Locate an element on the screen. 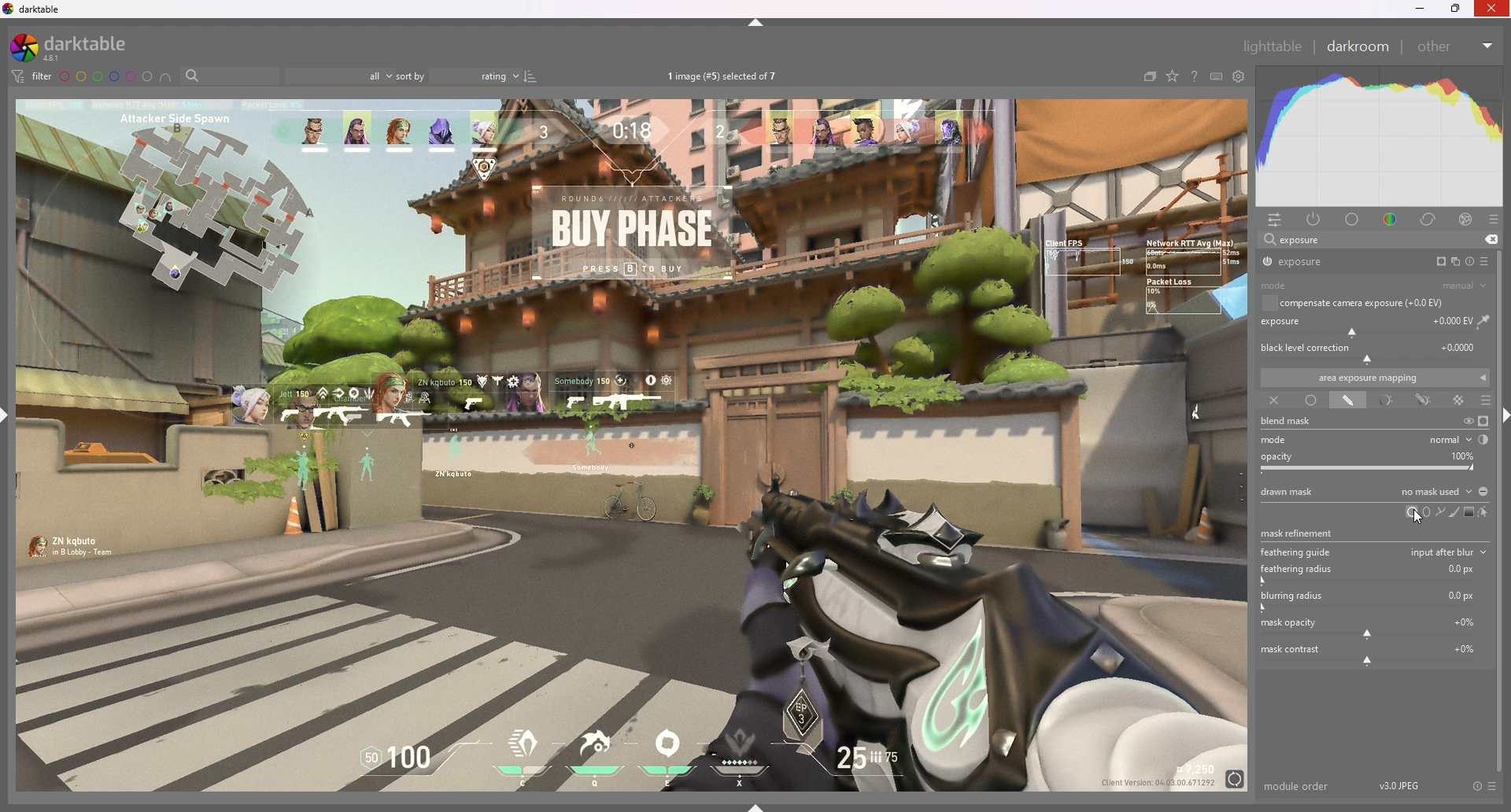 The width and height of the screenshot is (1511, 812). blurring radius is located at coordinates (1372, 601).